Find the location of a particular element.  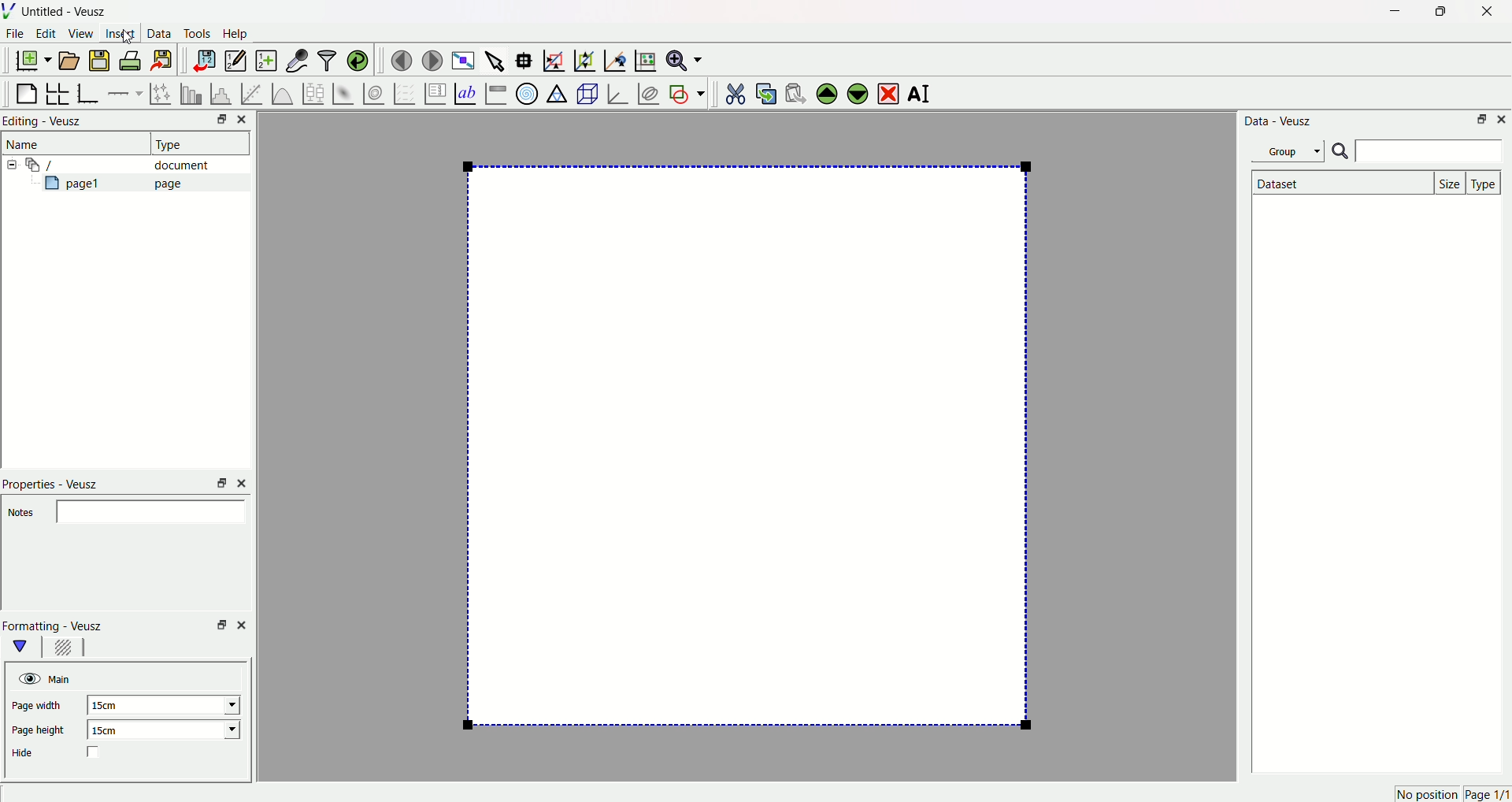

histogram is located at coordinates (220, 91).